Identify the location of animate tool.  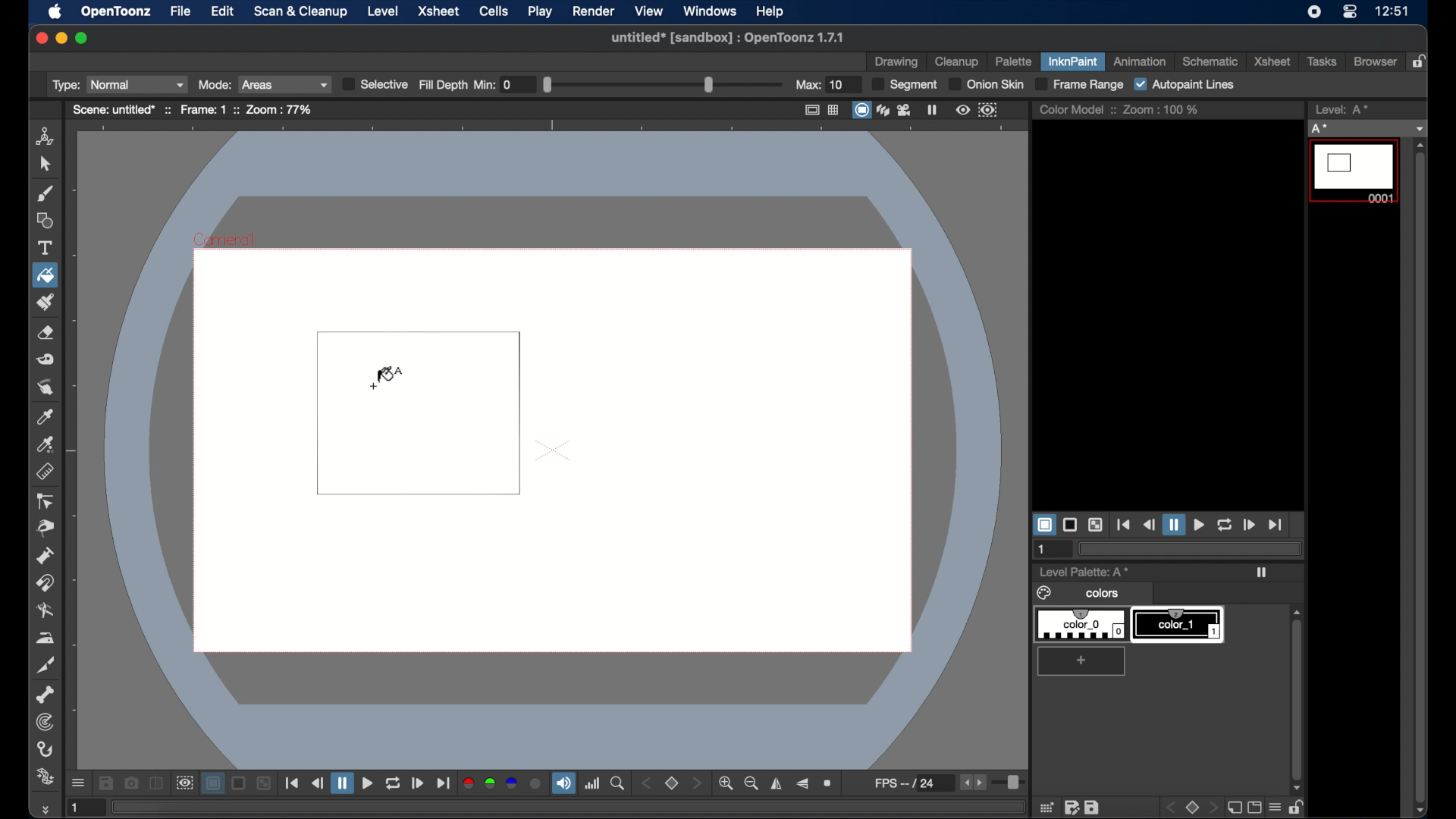
(45, 136).